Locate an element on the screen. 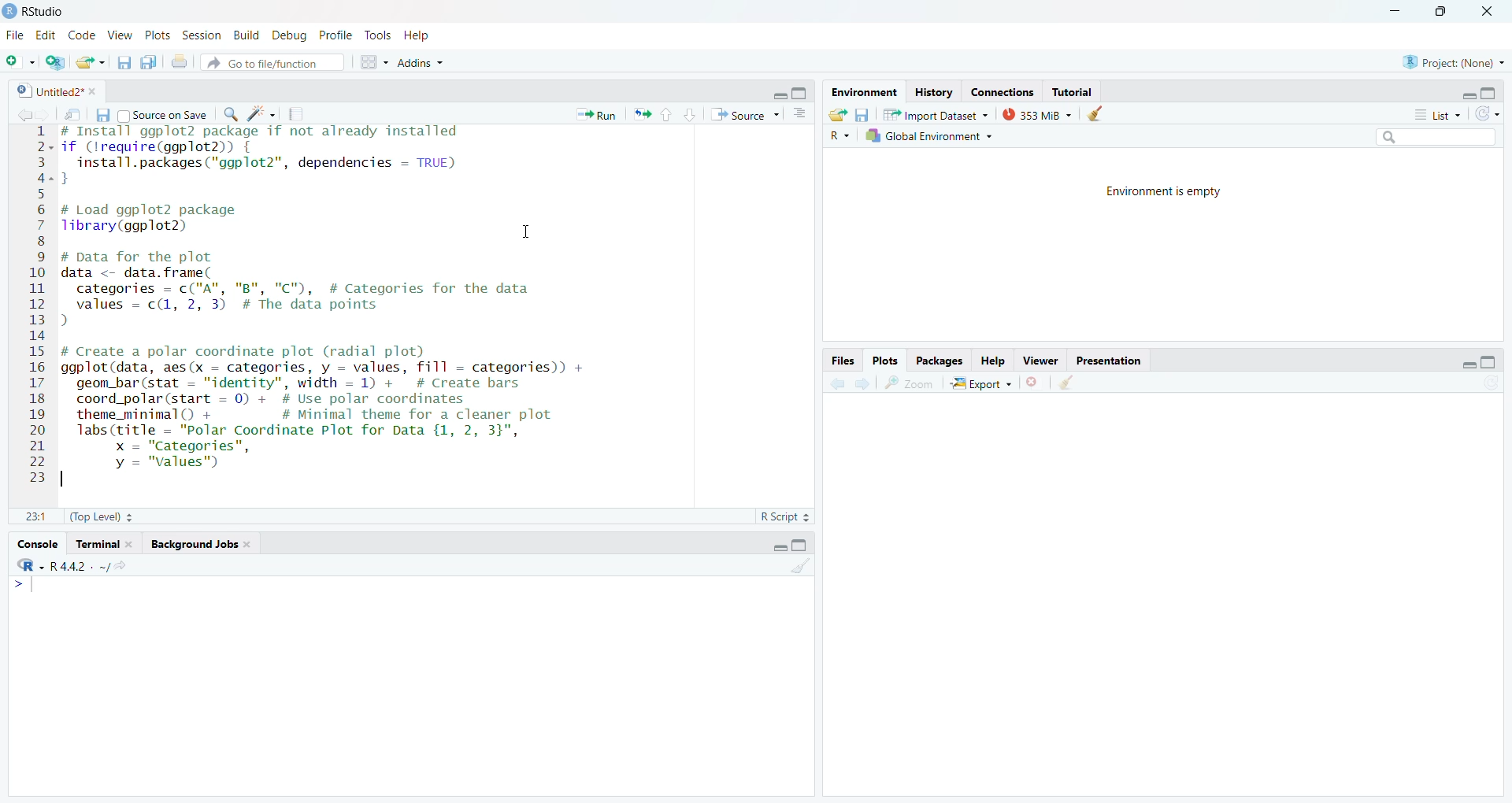   Profile is located at coordinates (335, 35).